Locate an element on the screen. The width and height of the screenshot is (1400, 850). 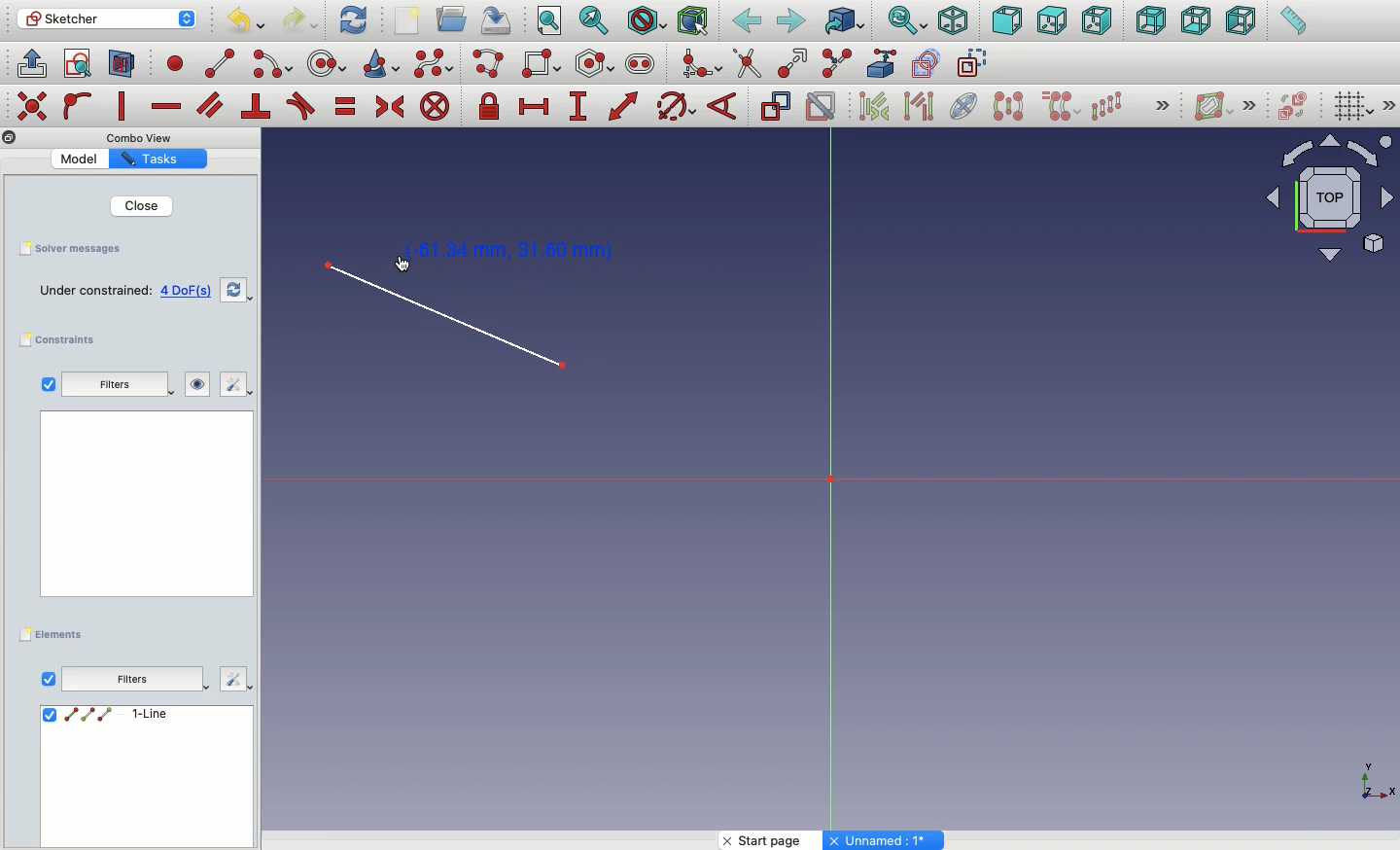
Map sketch to face is located at coordinates (122, 64).